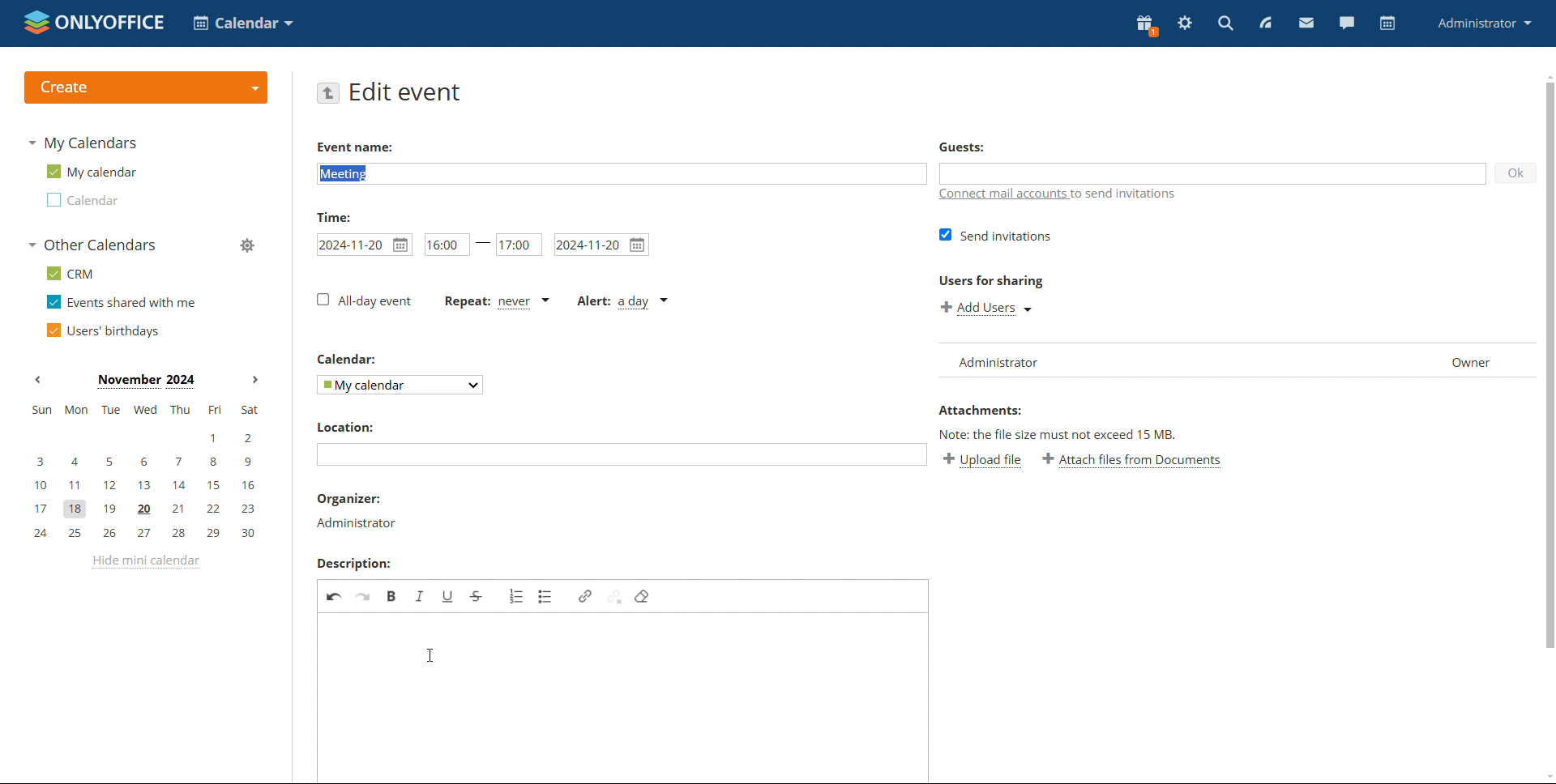 Image resolution: width=1556 pixels, height=784 pixels. Describe the element at coordinates (1546, 75) in the screenshot. I see `scroll up` at that location.